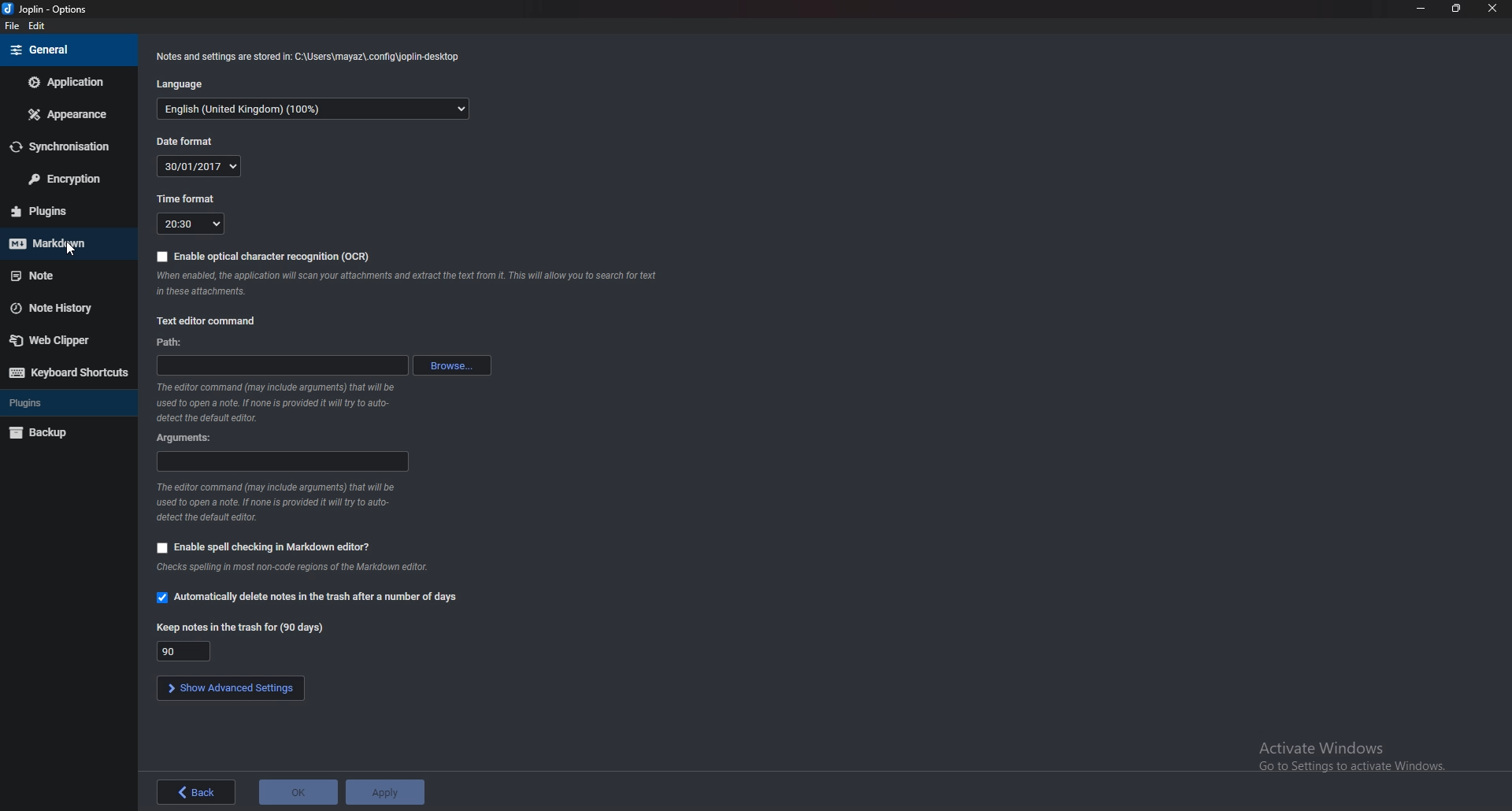 The image size is (1512, 811). I want to click on path, so click(172, 343).